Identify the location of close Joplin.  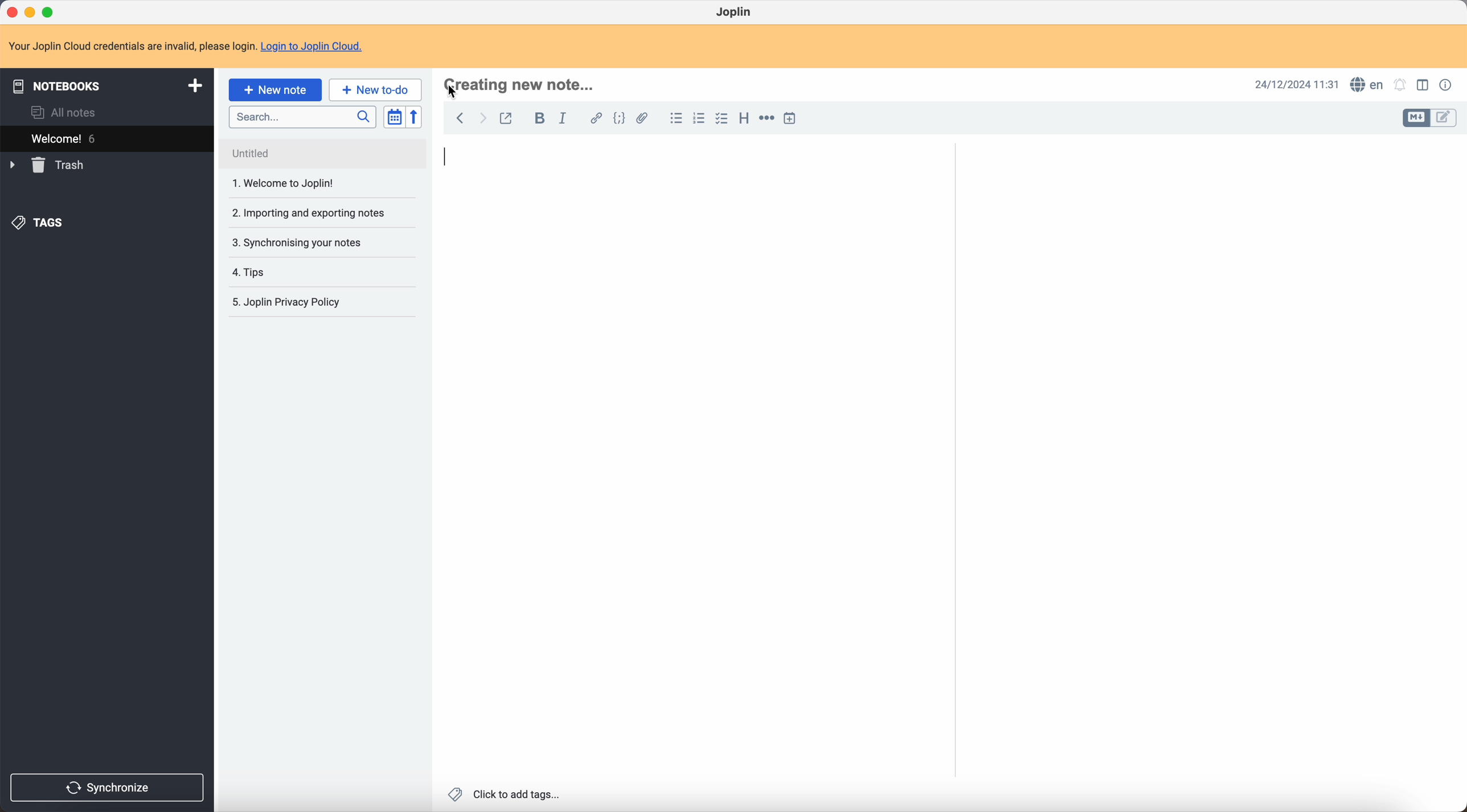
(11, 11).